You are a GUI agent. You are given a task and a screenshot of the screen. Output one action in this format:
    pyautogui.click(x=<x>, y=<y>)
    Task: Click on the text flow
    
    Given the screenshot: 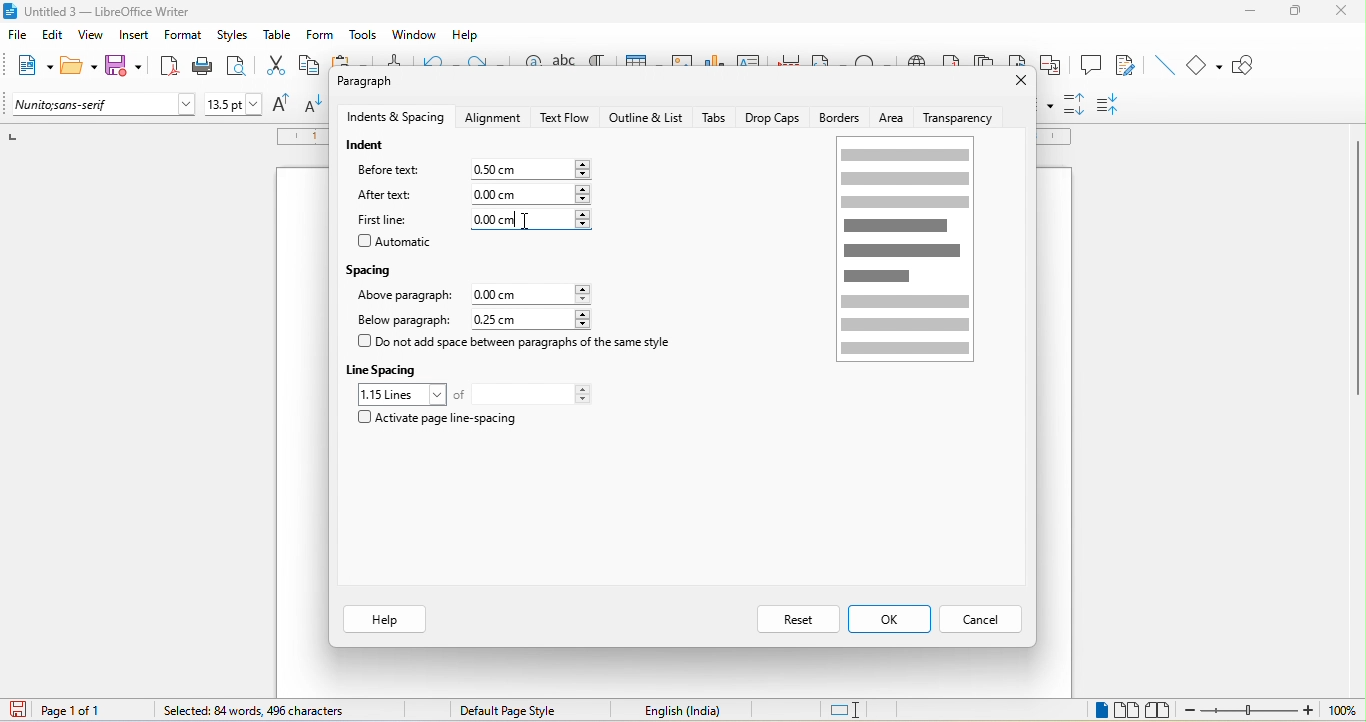 What is the action you would take?
    pyautogui.click(x=566, y=117)
    